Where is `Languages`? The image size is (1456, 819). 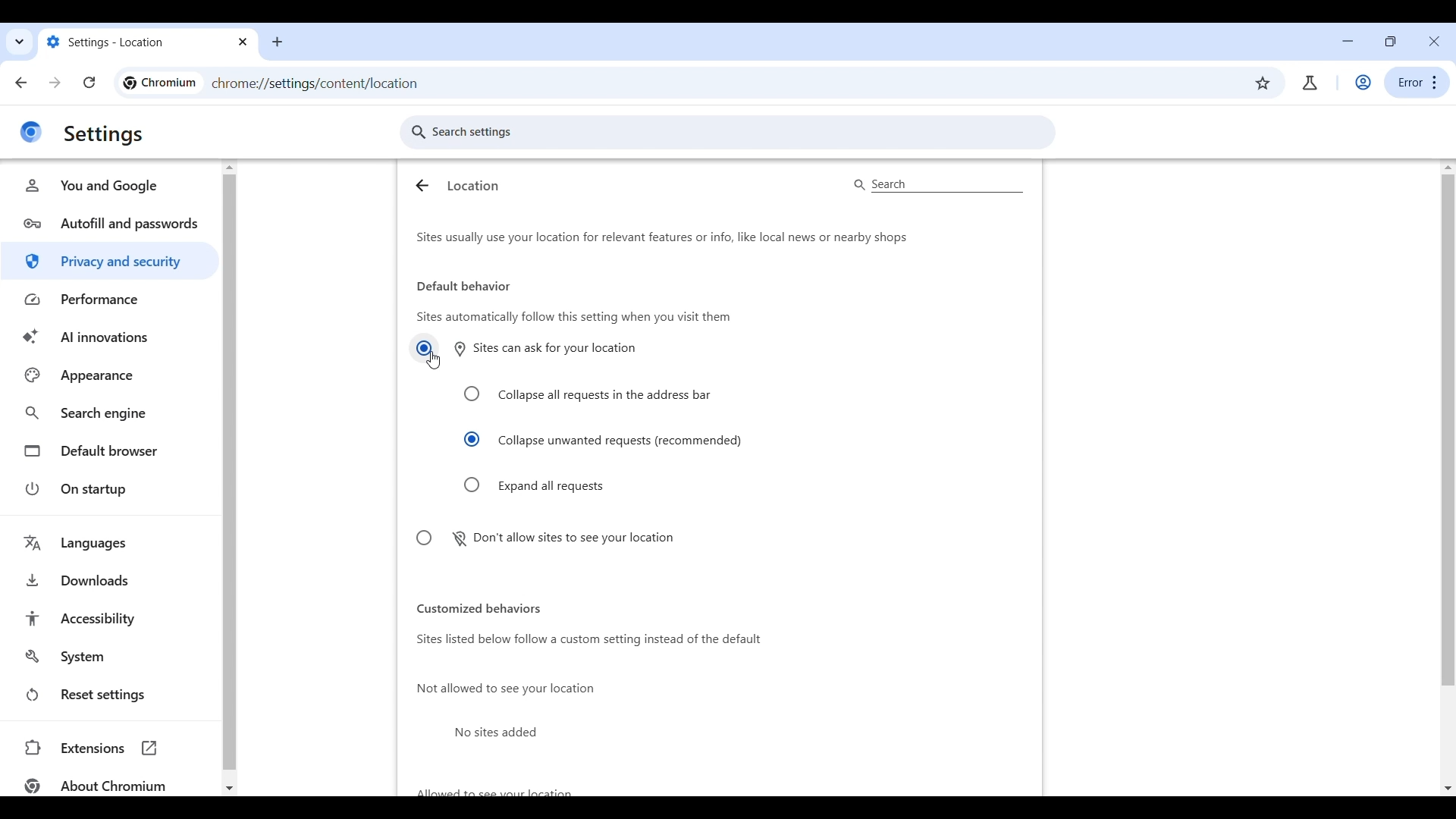 Languages is located at coordinates (108, 543).